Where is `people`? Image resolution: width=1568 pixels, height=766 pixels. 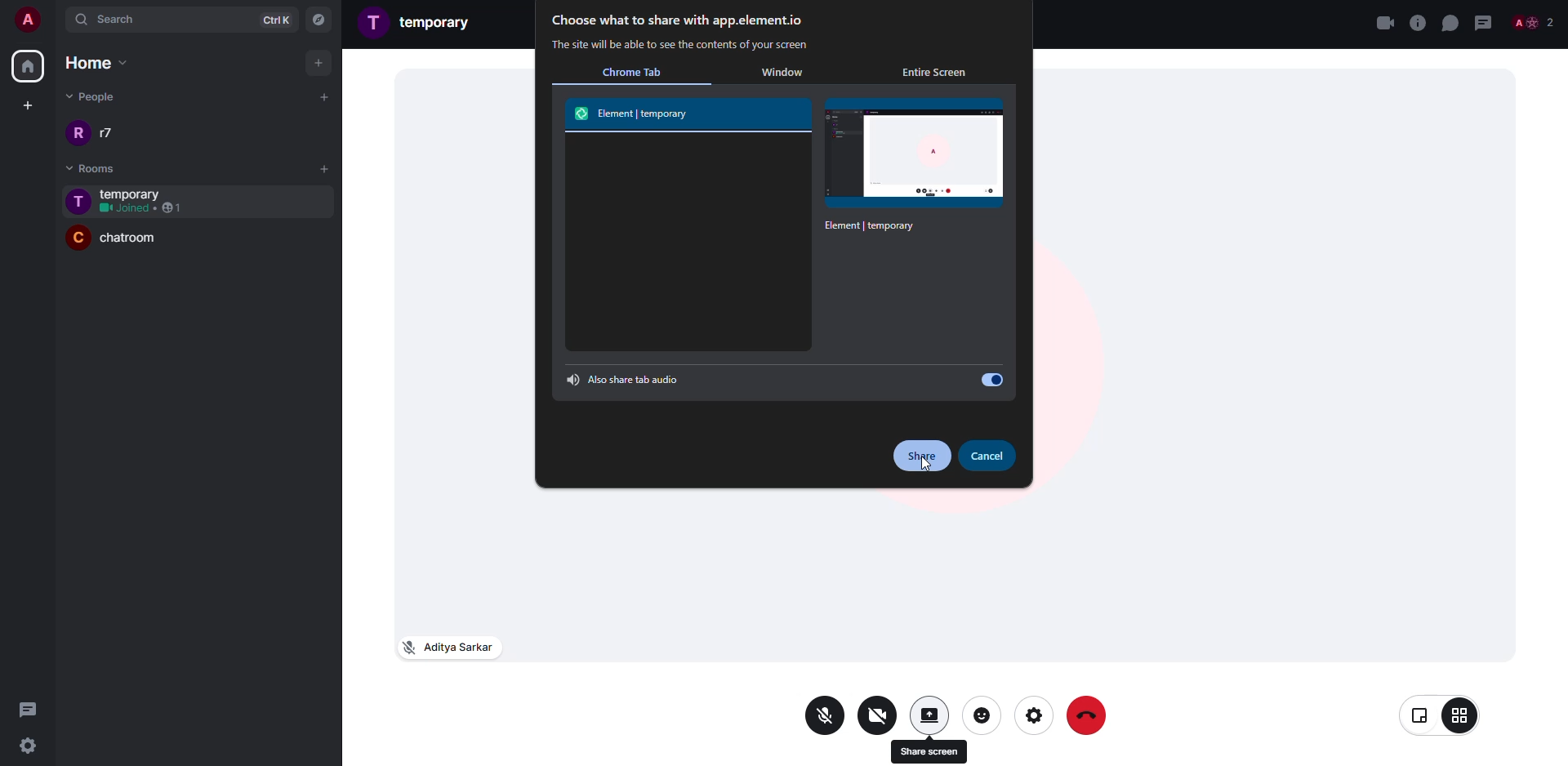 people is located at coordinates (111, 133).